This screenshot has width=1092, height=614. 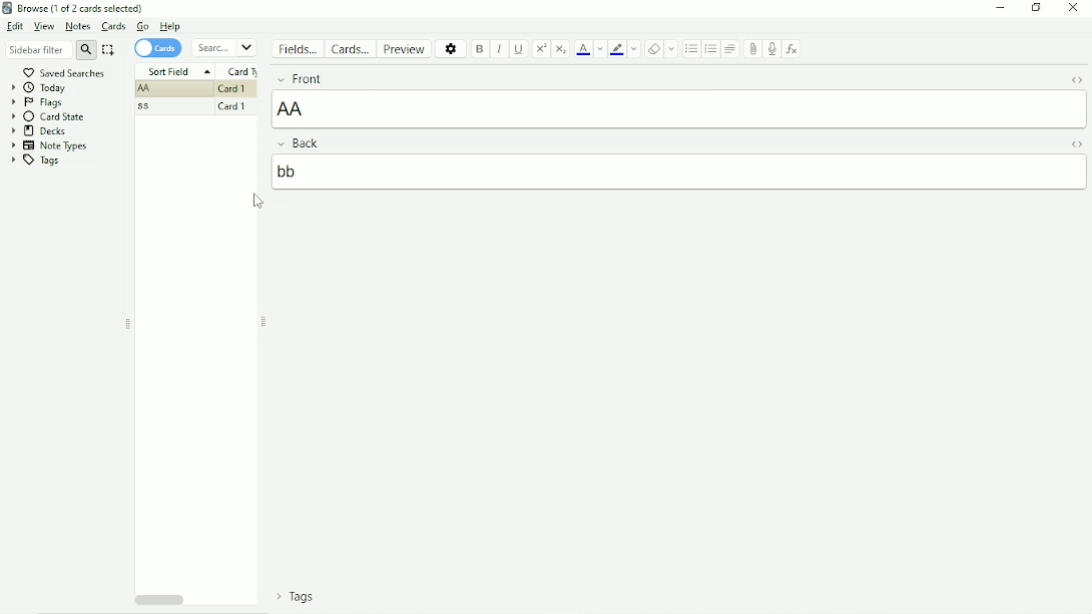 I want to click on Card State, so click(x=49, y=117).